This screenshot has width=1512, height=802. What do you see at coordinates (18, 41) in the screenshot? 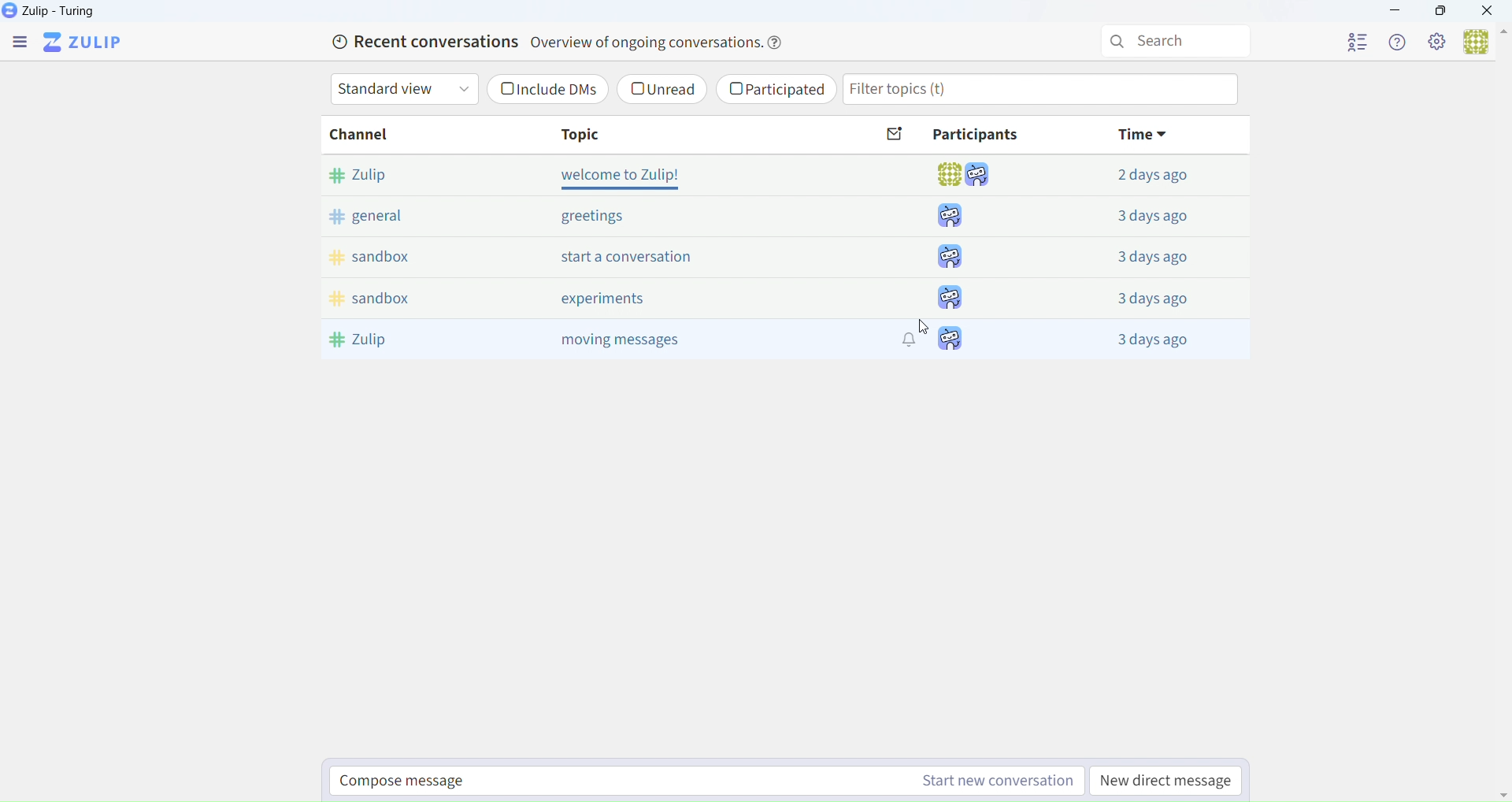
I see `Menu Bar` at bounding box center [18, 41].